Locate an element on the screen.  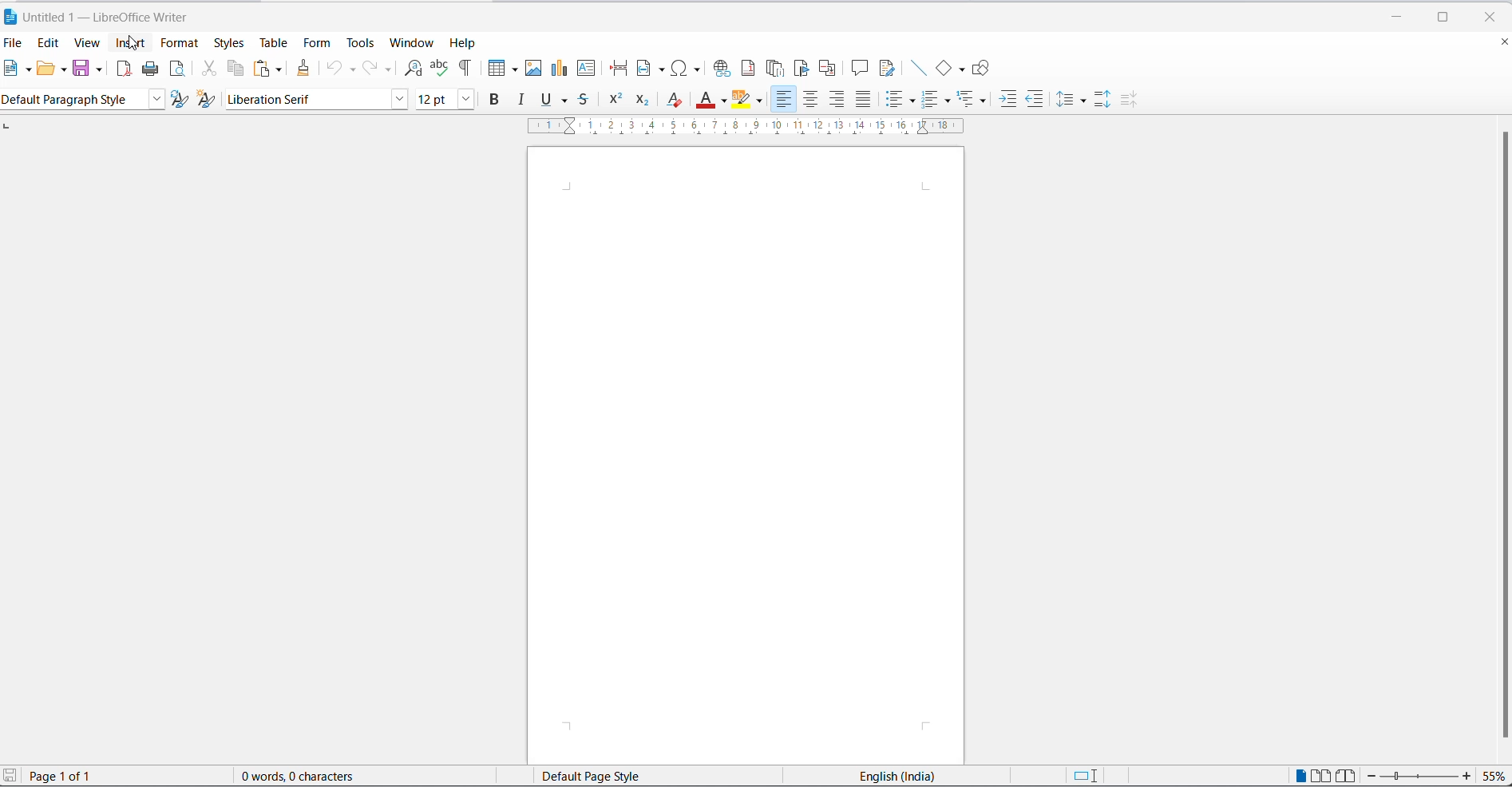
decrease paragraphing space is located at coordinates (1134, 102).